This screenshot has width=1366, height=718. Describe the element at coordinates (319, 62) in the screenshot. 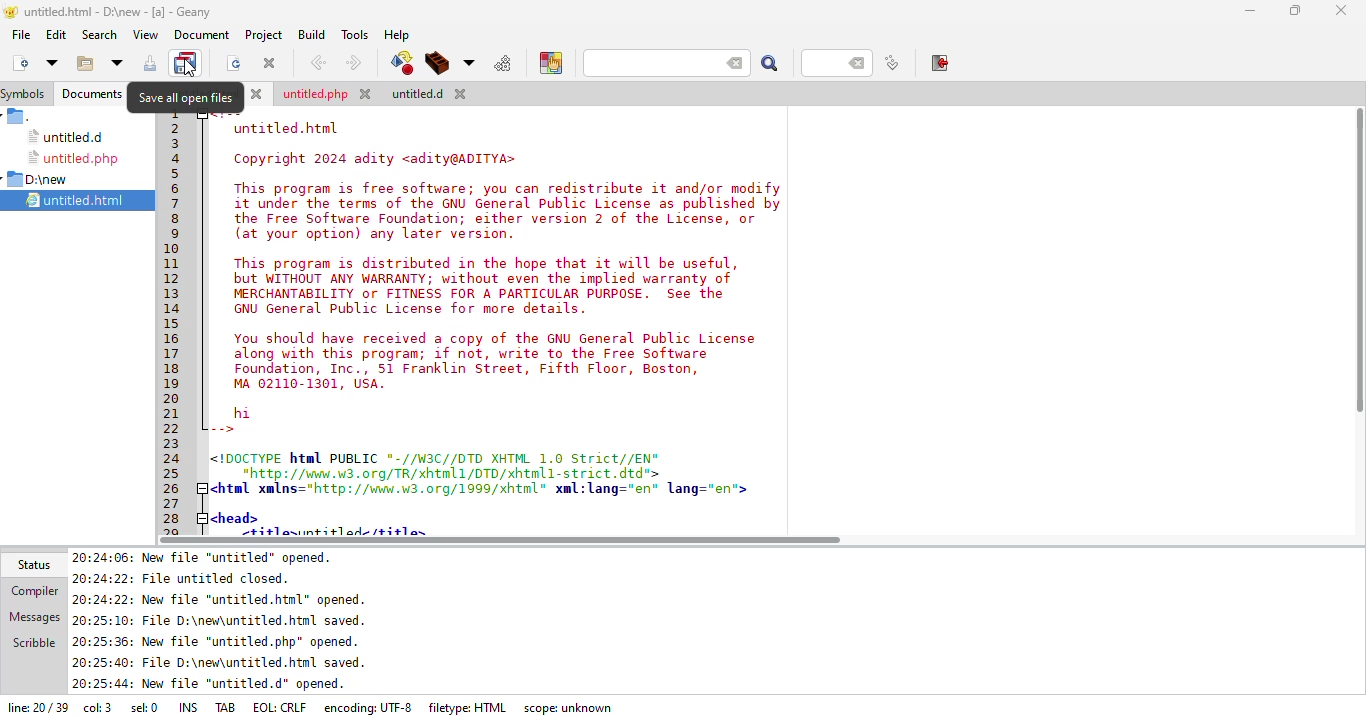

I see `back` at that location.